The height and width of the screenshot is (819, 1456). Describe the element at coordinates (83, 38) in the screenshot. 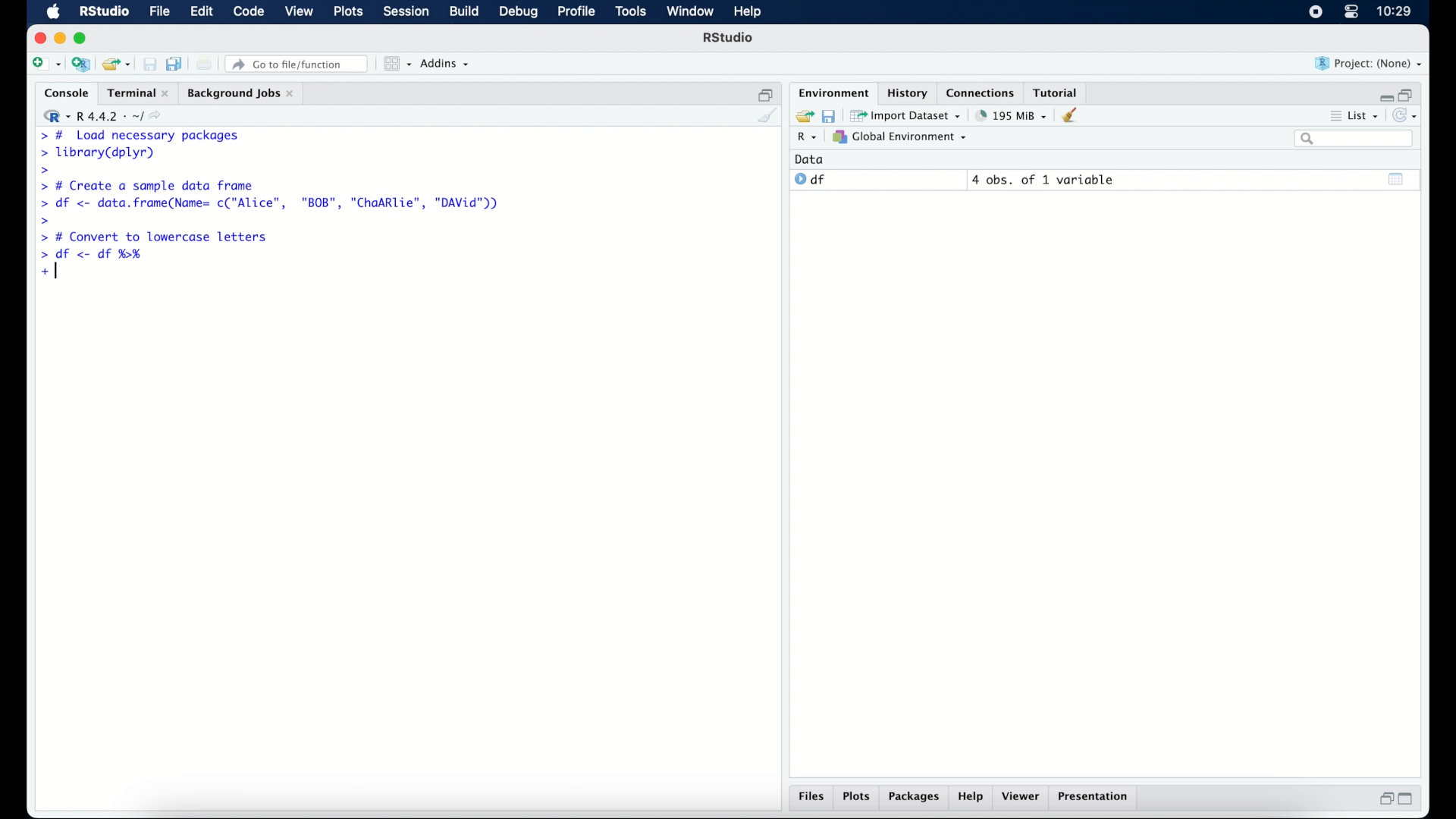

I see `maximize` at that location.